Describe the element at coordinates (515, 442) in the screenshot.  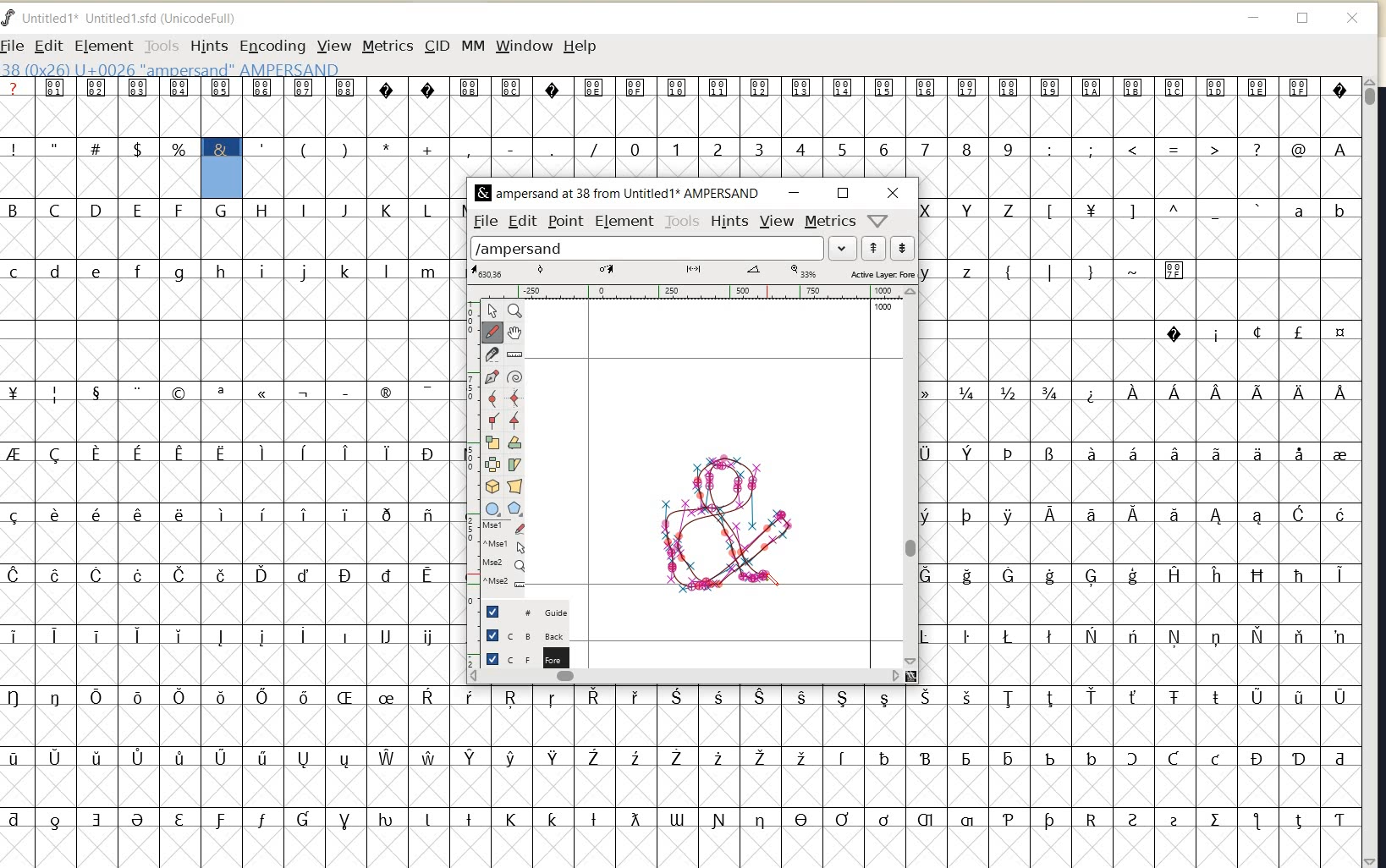
I see `rotate the selection` at that location.